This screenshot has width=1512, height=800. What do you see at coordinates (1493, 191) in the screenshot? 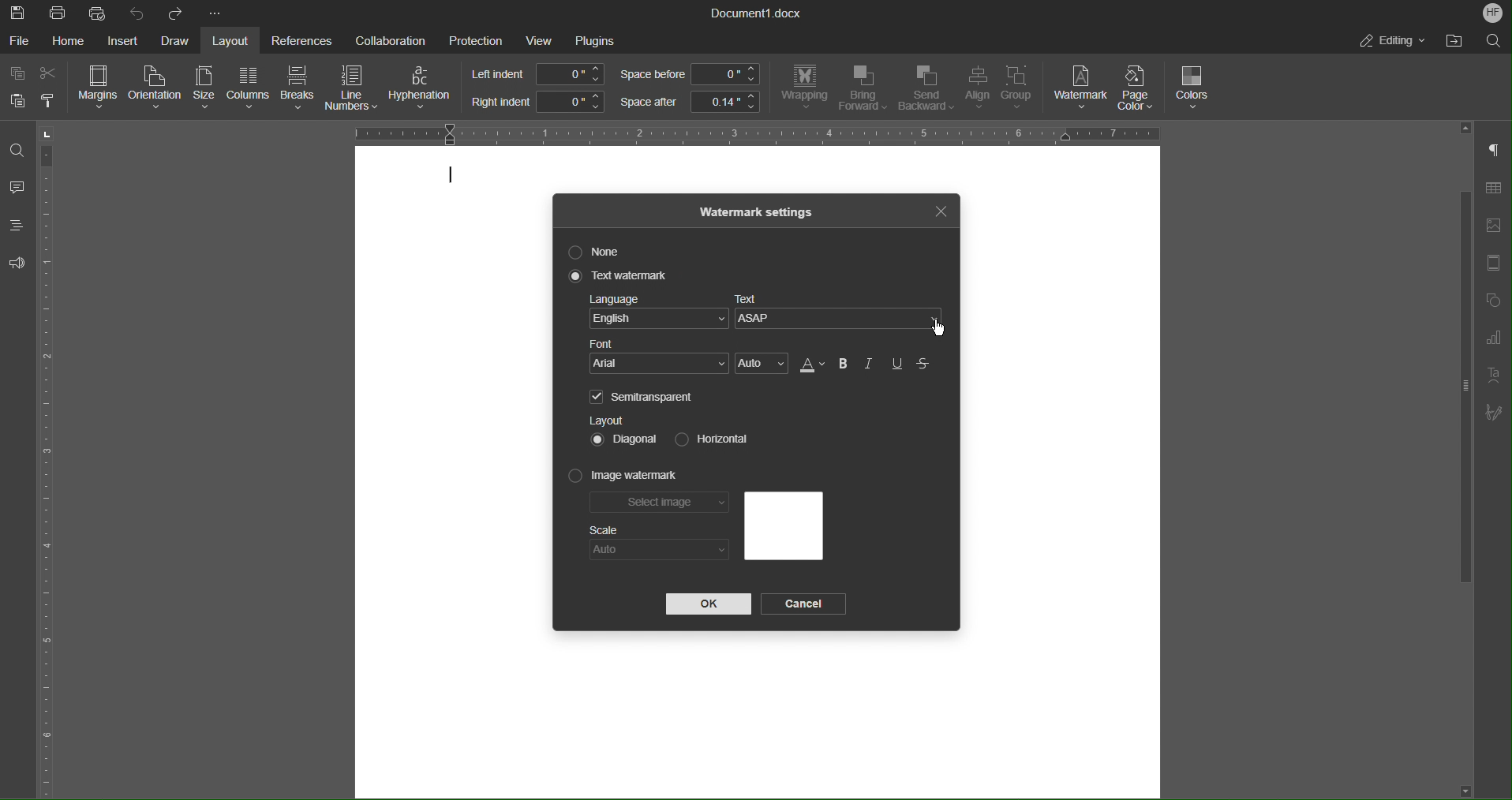
I see `Table` at bounding box center [1493, 191].